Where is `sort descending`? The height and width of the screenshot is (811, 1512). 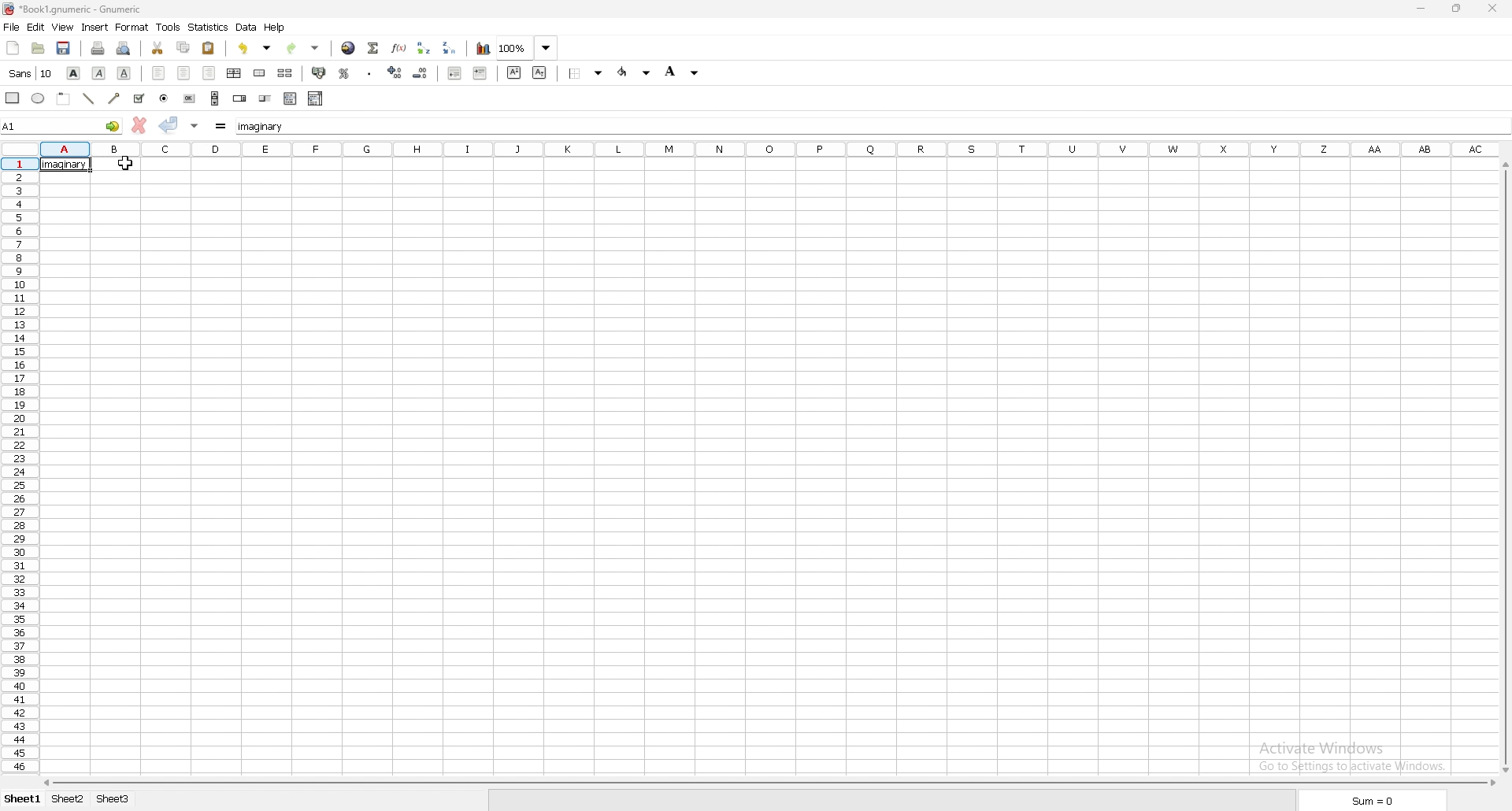
sort descending is located at coordinates (448, 47).